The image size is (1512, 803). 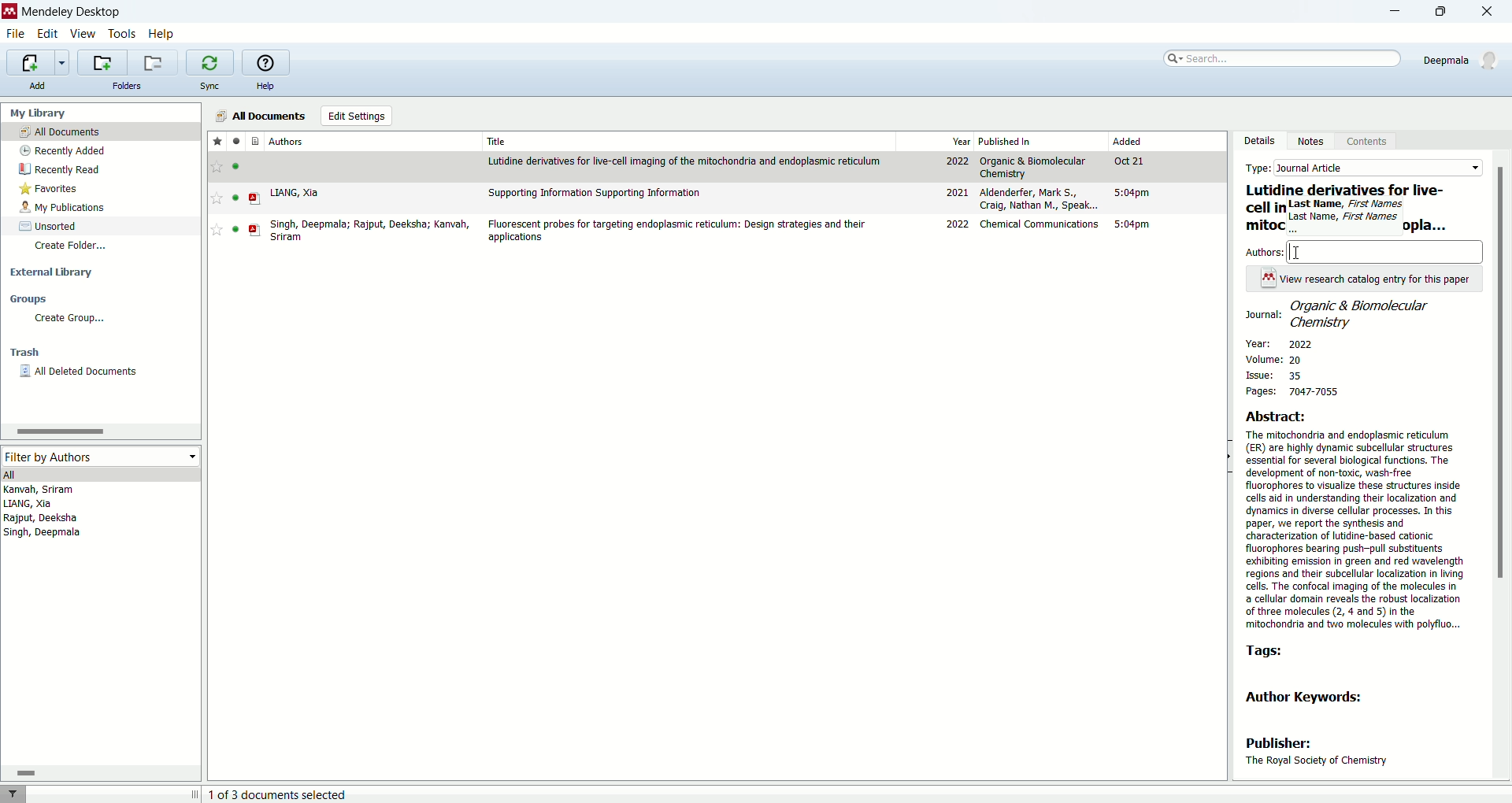 I want to click on Organic & Biomolecular Chemistry, so click(x=1036, y=167).